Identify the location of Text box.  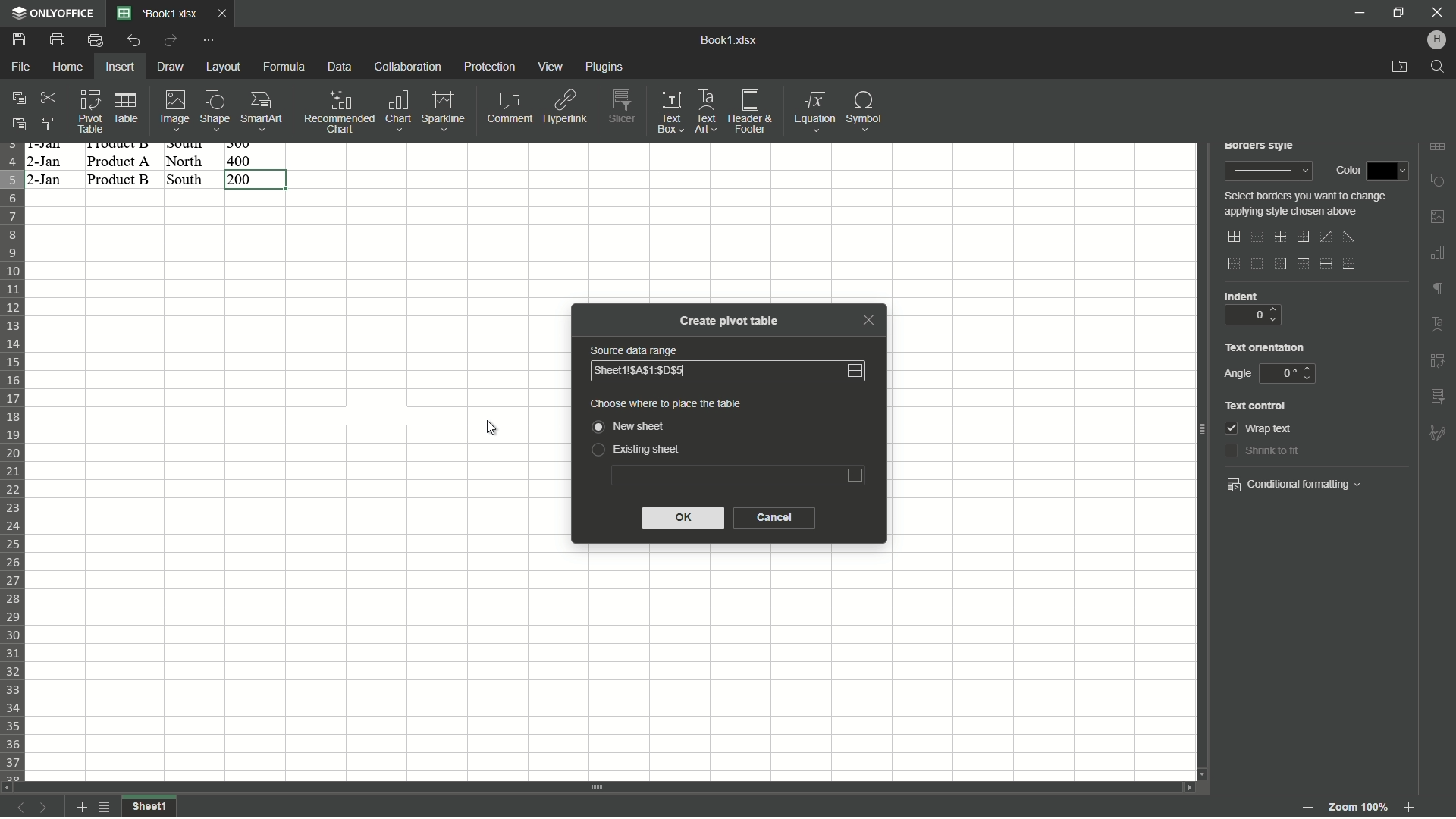
(670, 112).